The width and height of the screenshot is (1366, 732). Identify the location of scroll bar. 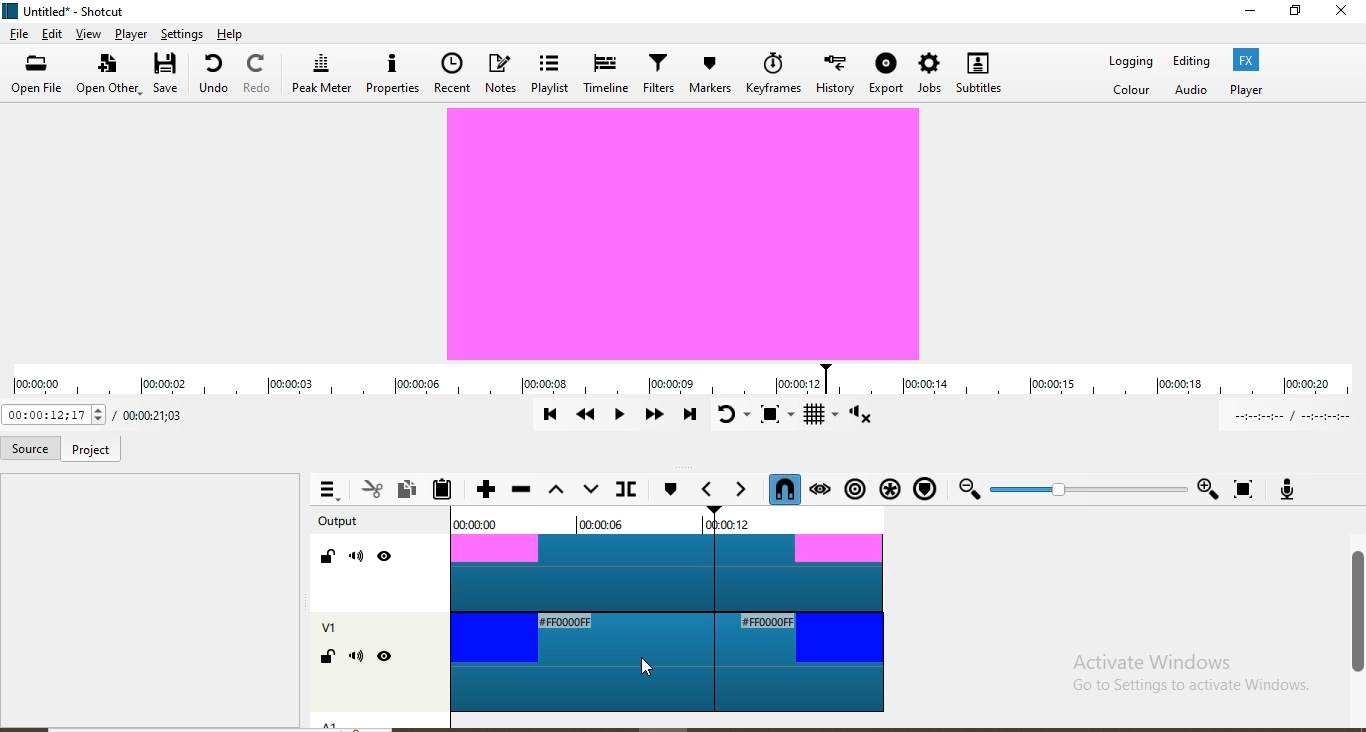
(1353, 610).